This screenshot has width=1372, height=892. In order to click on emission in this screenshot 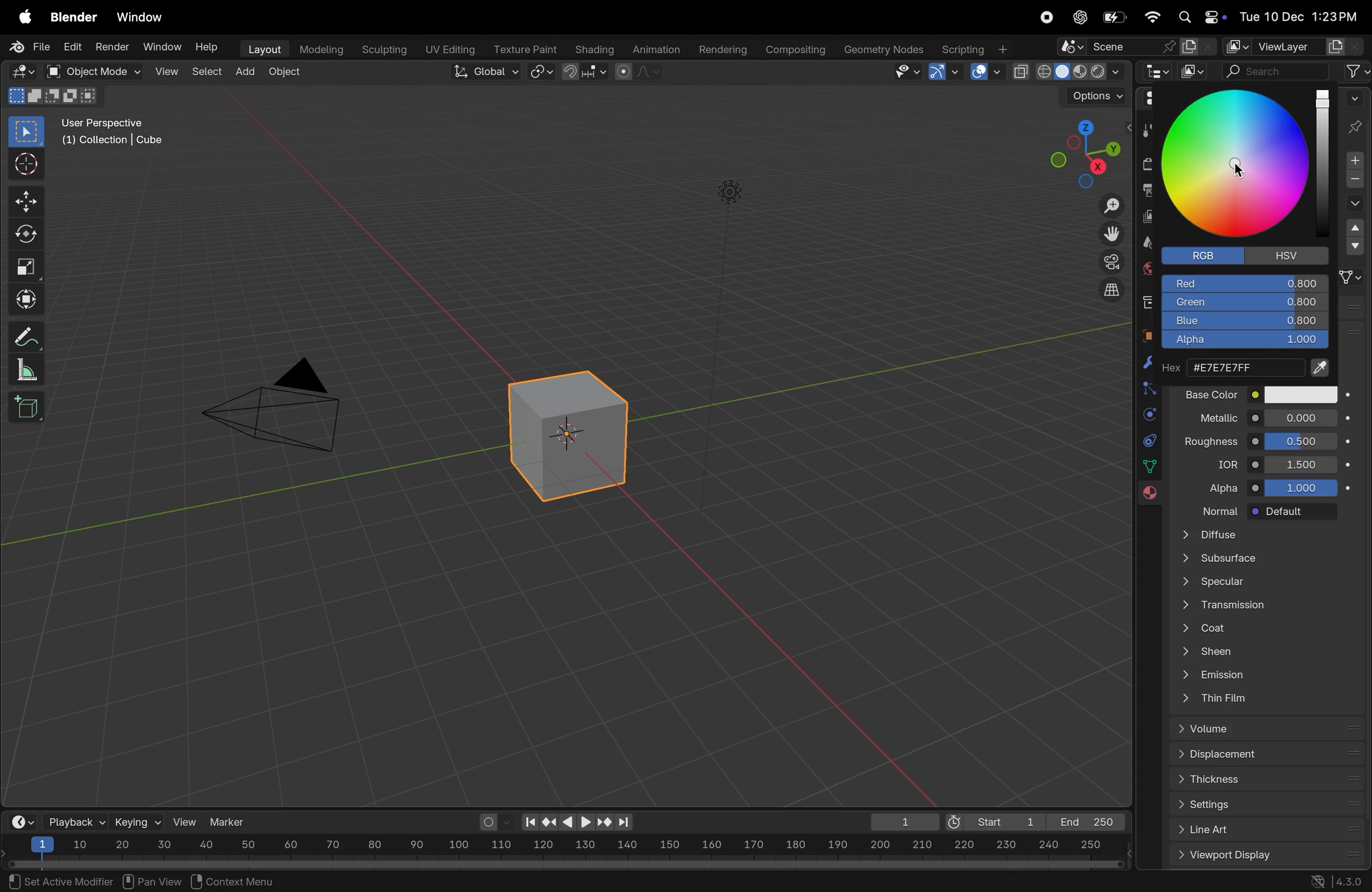, I will do `click(1267, 674)`.